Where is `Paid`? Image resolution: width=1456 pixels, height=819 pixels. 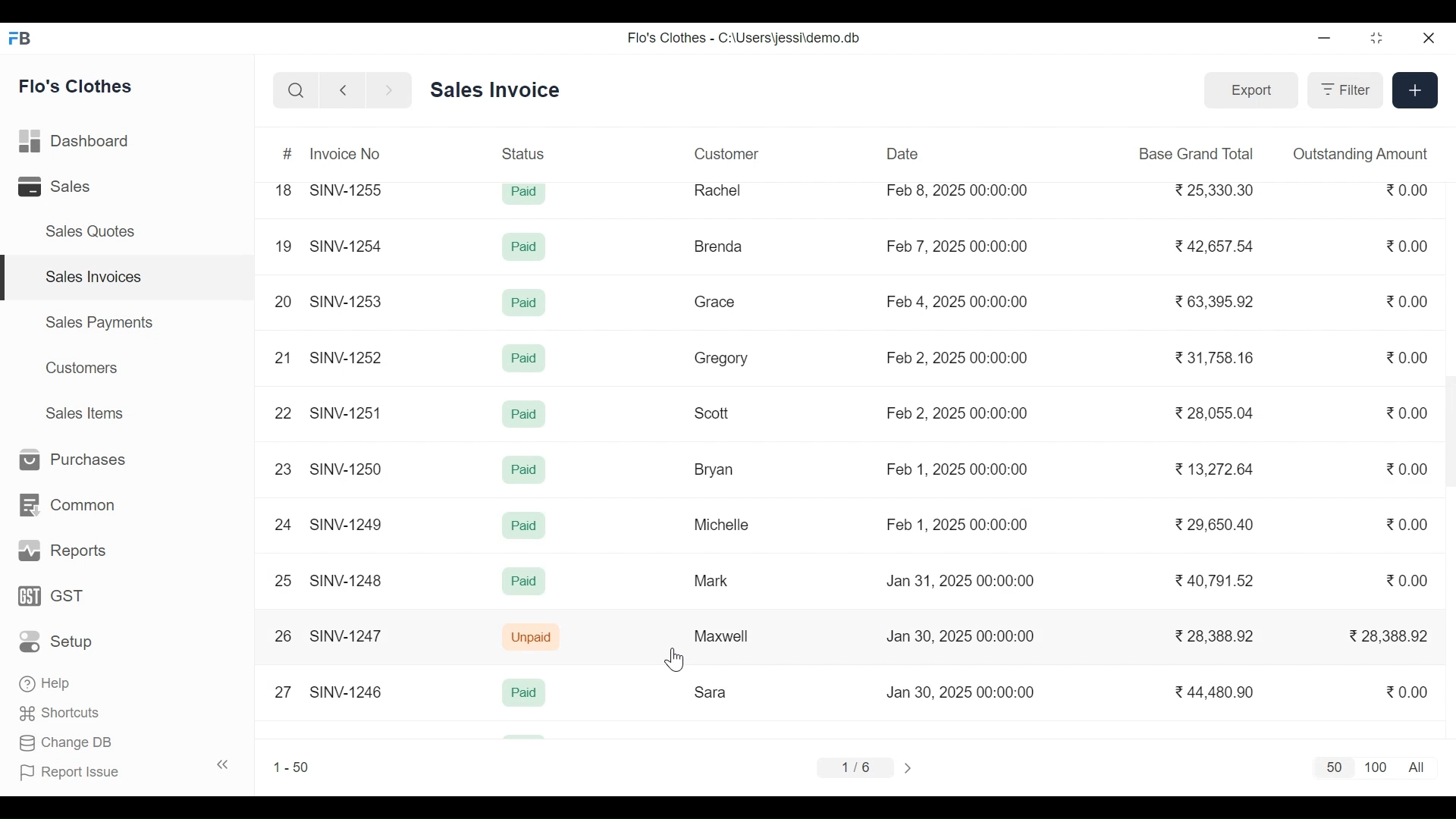 Paid is located at coordinates (526, 193).